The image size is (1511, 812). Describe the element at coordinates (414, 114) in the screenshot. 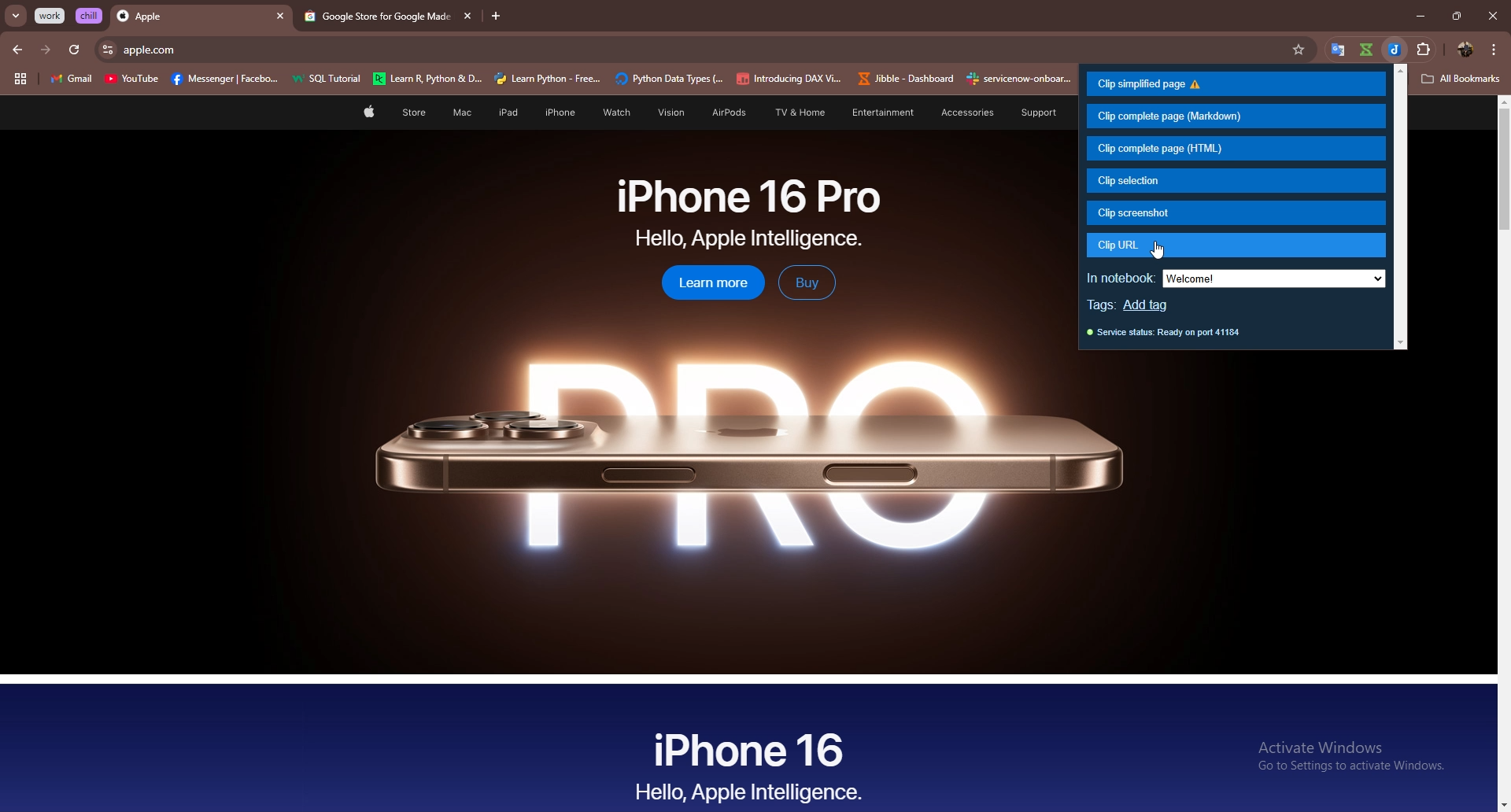

I see `Store` at that location.